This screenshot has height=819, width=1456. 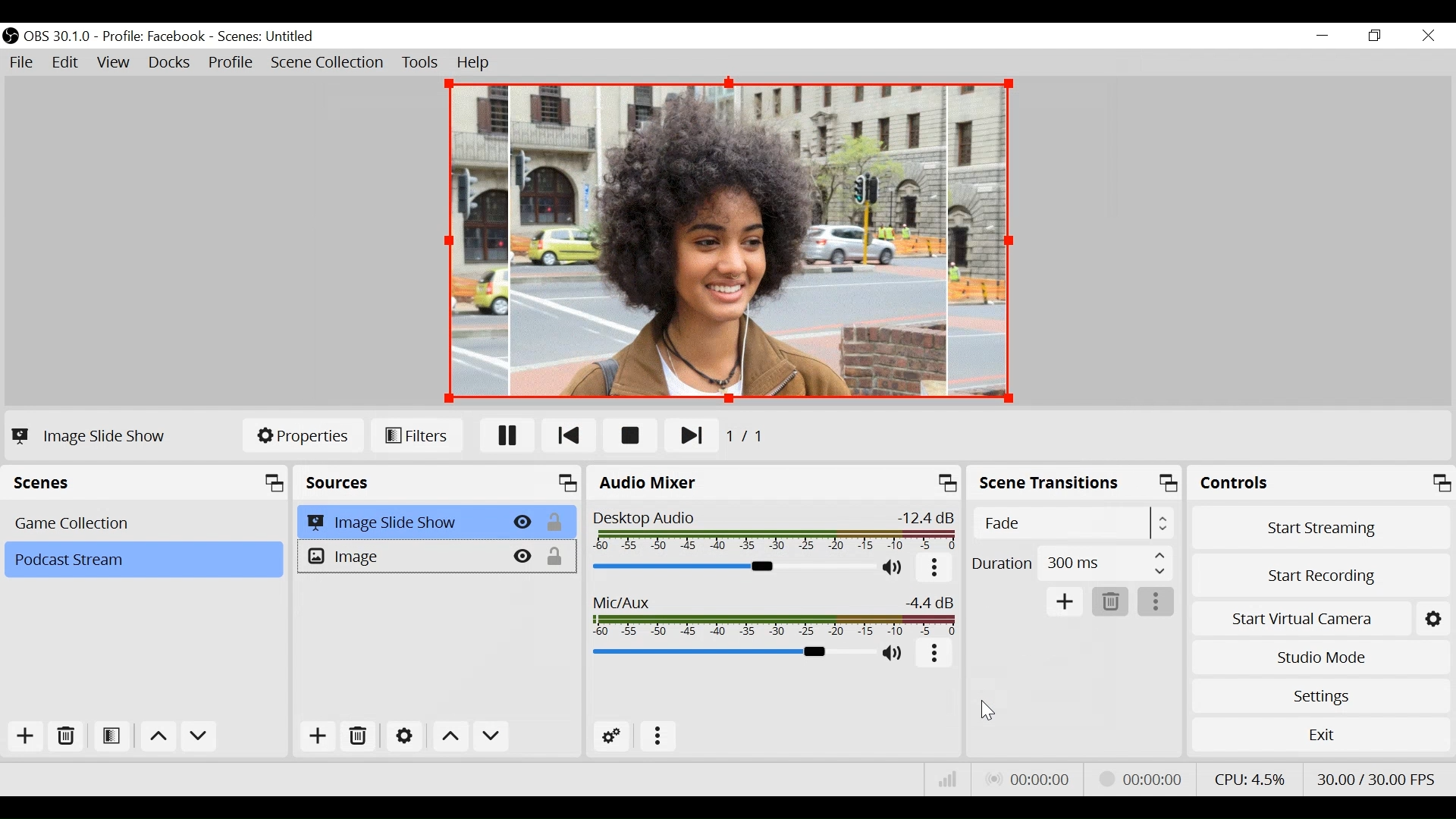 What do you see at coordinates (770, 613) in the screenshot?
I see `Mic/Aux` at bounding box center [770, 613].